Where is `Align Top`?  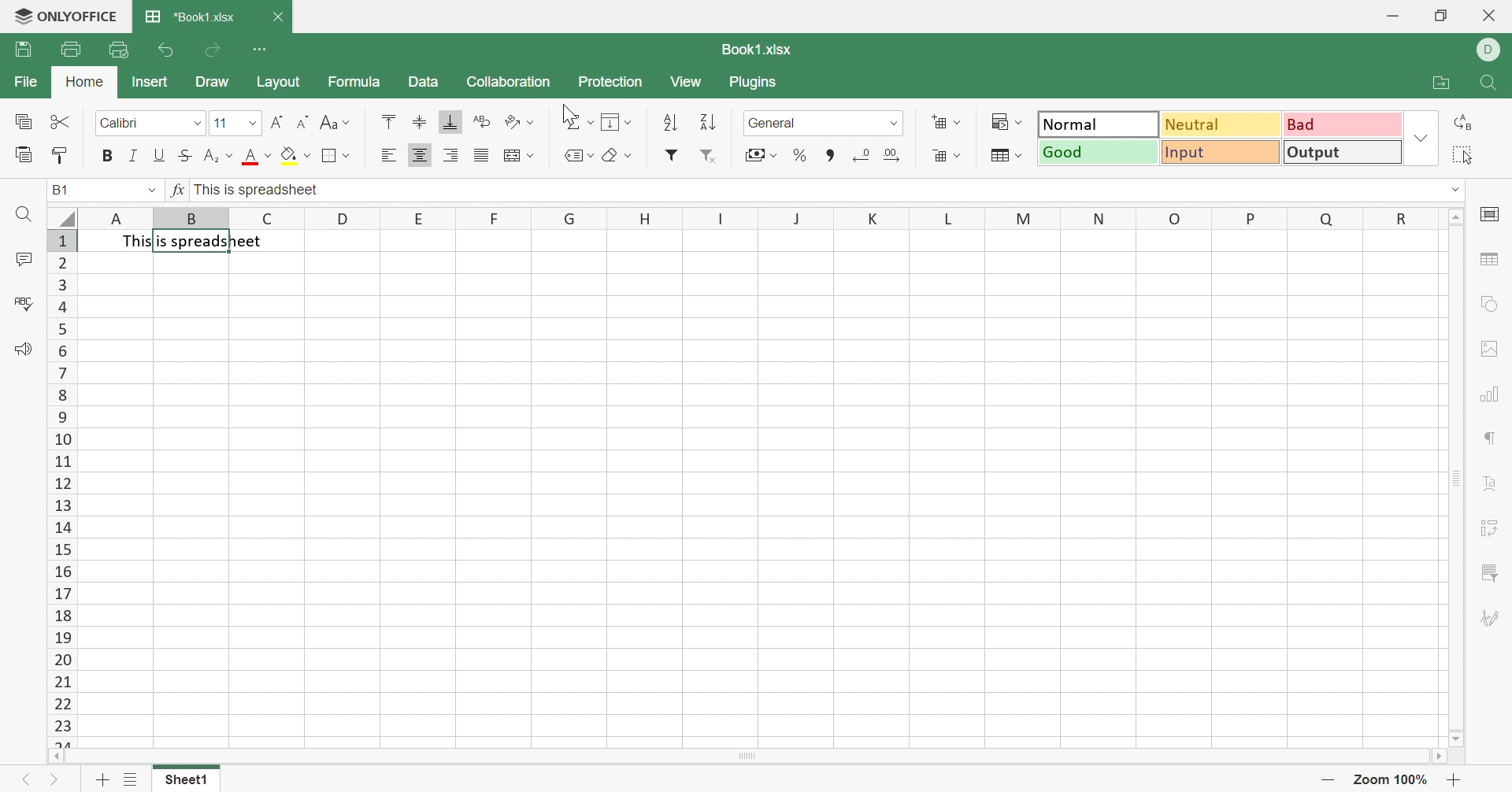 Align Top is located at coordinates (391, 120).